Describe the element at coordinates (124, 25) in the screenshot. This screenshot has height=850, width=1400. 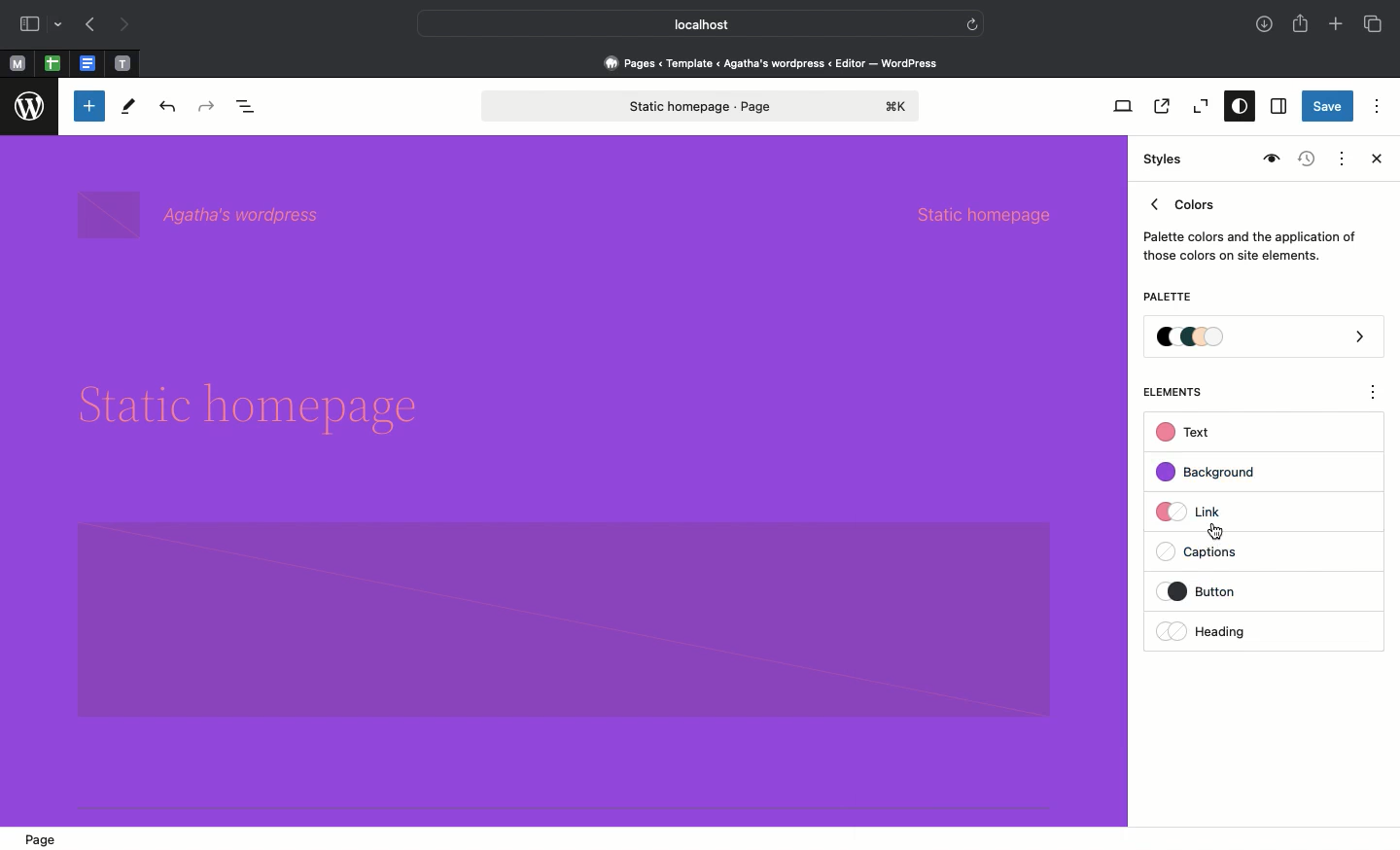
I see `Next page` at that location.